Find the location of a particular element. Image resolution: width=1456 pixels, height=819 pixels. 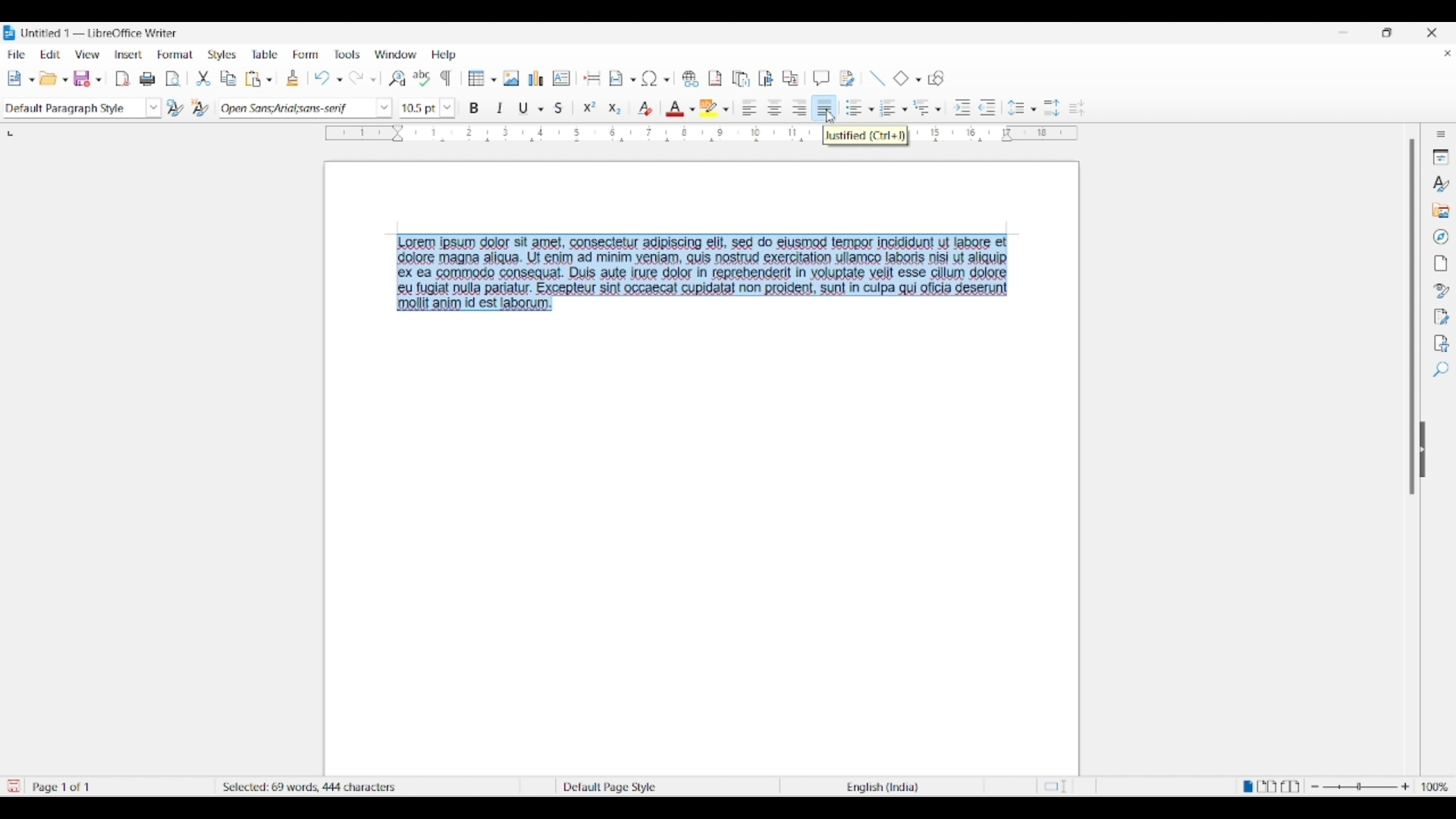

File is located at coordinates (17, 54).